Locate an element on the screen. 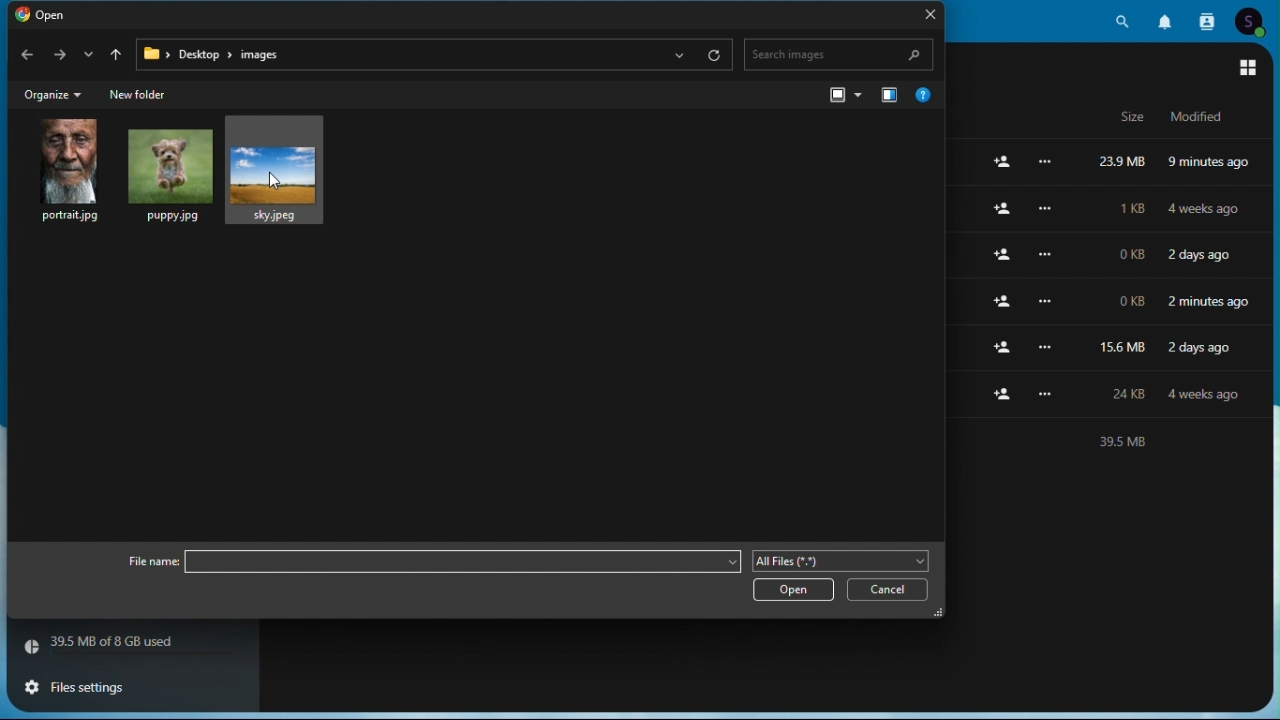 This screenshot has width=1280, height=720. Files is located at coordinates (1108, 257).